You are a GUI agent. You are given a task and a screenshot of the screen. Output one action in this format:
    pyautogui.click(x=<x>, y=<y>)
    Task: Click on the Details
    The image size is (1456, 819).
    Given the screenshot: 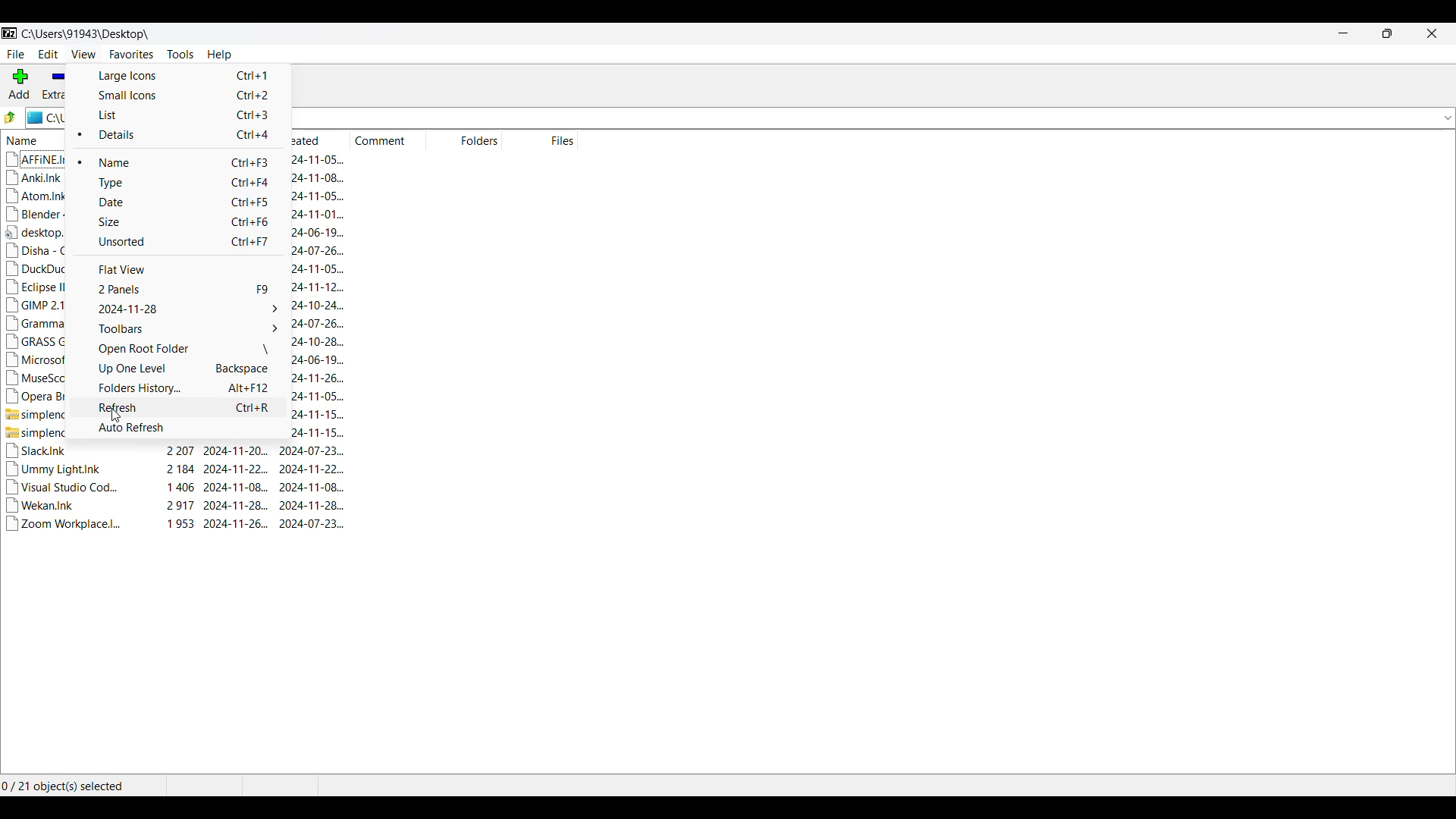 What is the action you would take?
    pyautogui.click(x=188, y=135)
    